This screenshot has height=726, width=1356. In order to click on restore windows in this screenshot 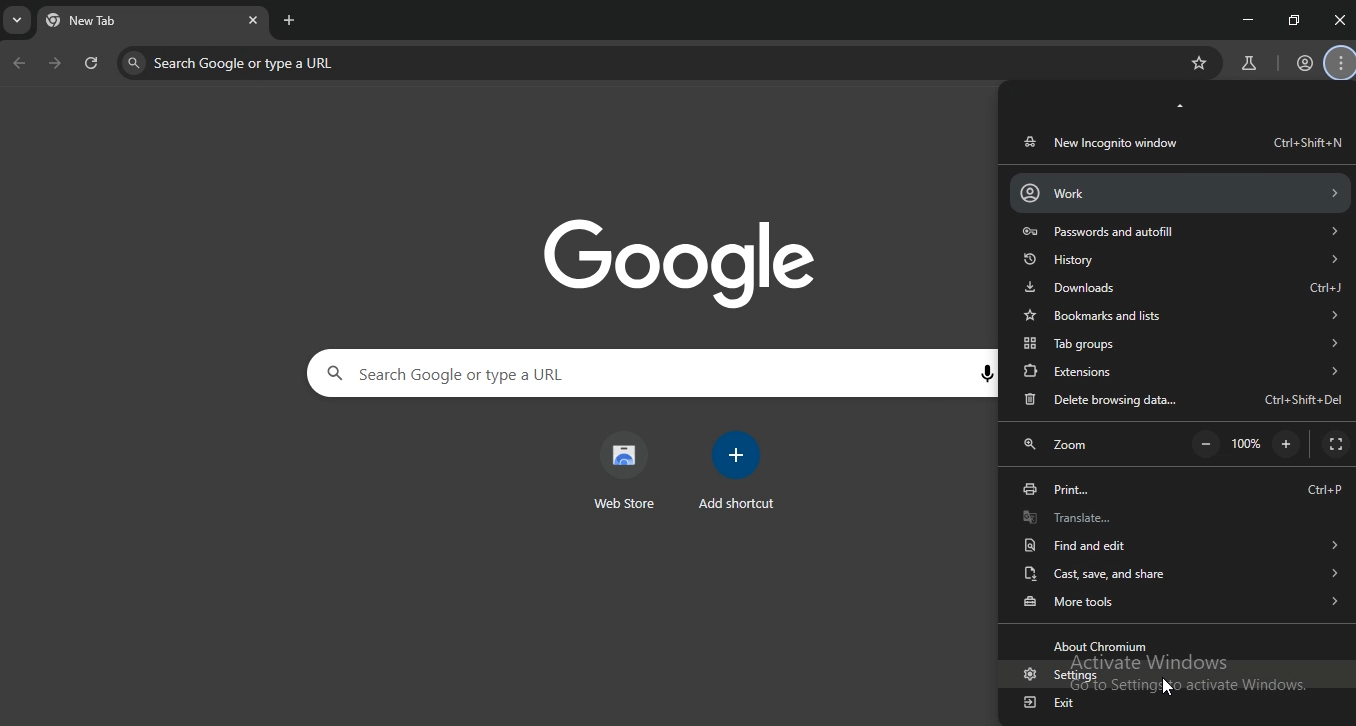, I will do `click(1295, 20)`.